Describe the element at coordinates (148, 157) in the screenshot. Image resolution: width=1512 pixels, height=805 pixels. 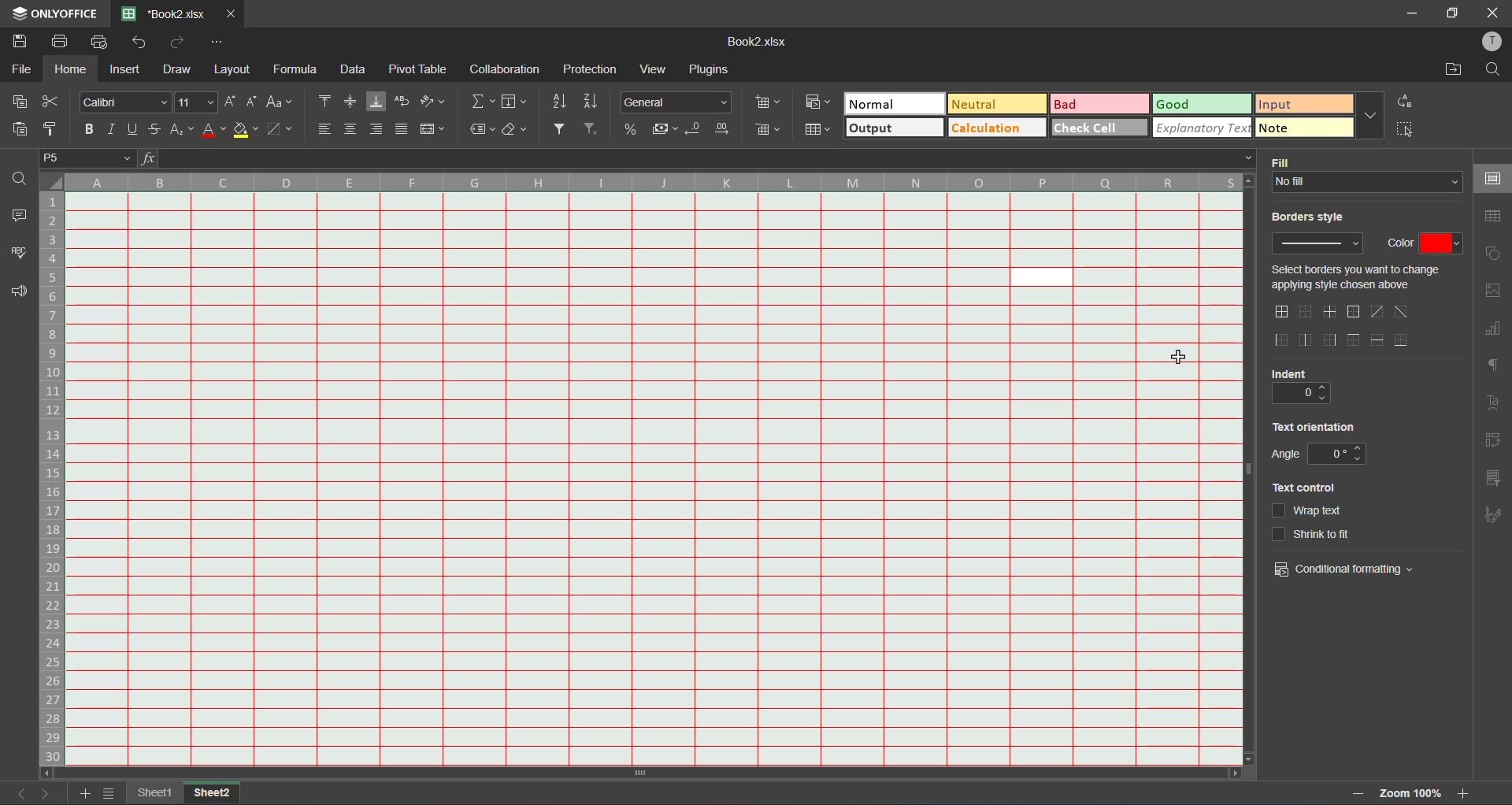
I see `fx` at that location.